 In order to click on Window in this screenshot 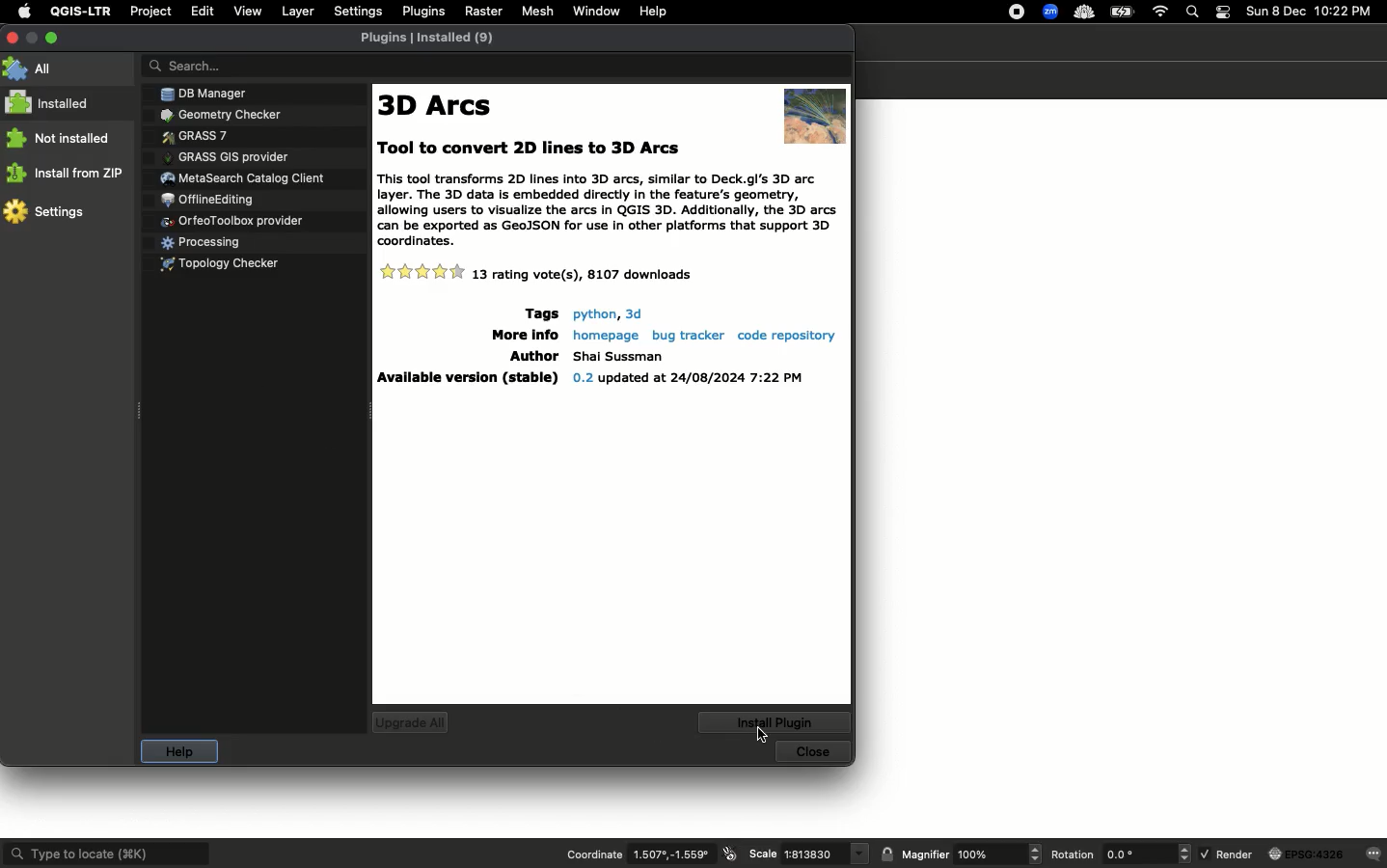, I will do `click(595, 10)`.